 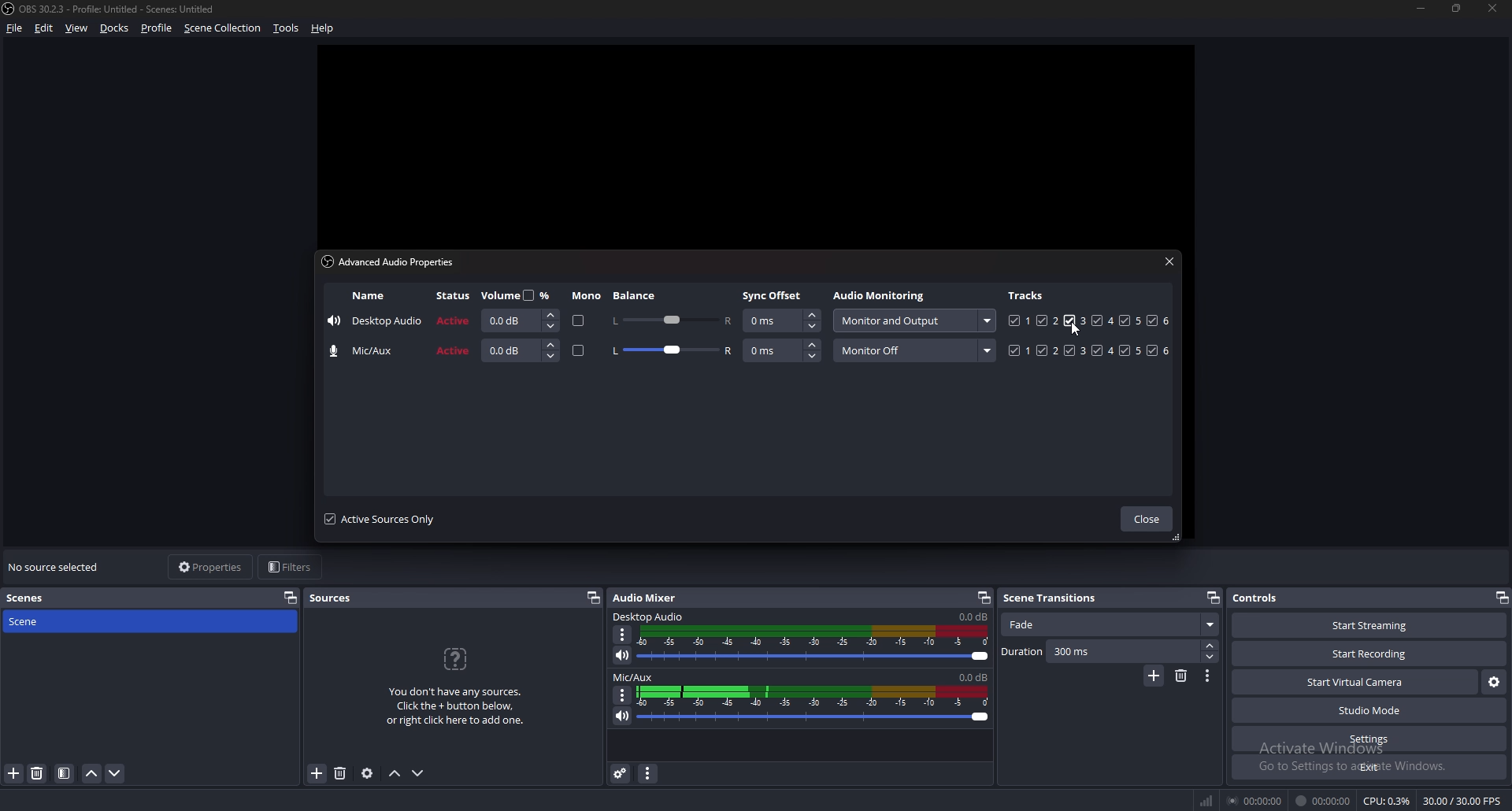 What do you see at coordinates (37, 622) in the screenshot?
I see `scene` at bounding box center [37, 622].